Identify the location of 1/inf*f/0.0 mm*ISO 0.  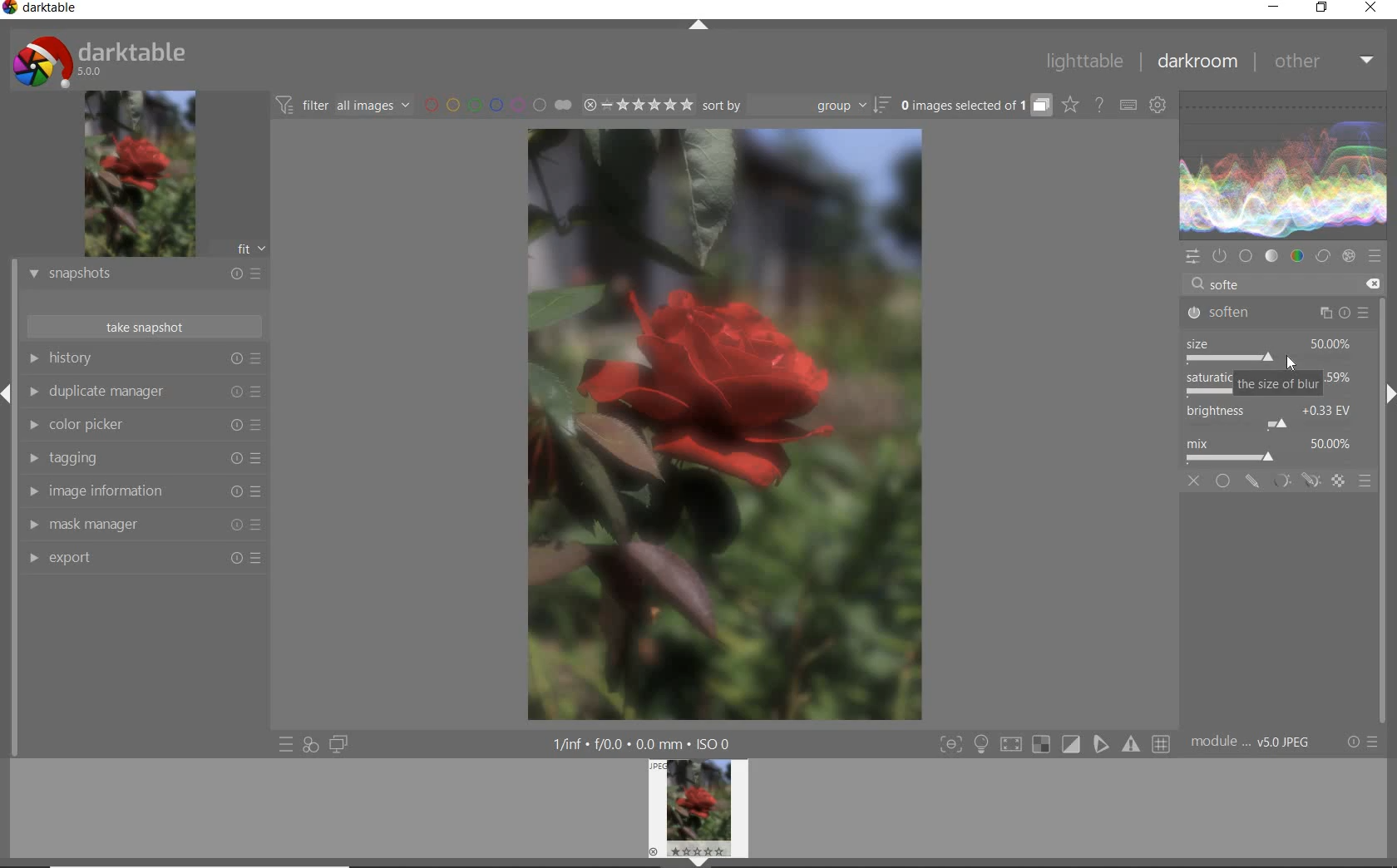
(648, 743).